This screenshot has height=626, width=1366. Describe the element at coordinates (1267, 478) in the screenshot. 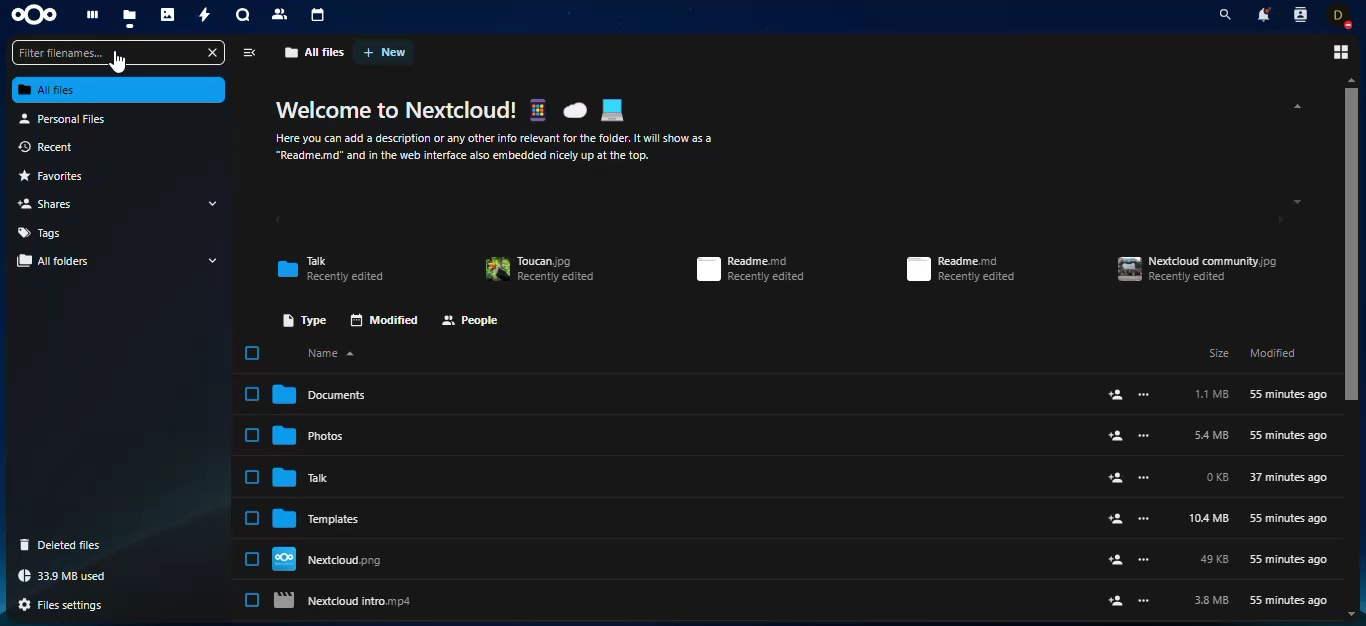

I see `0 KB 37 minutes ago` at that location.